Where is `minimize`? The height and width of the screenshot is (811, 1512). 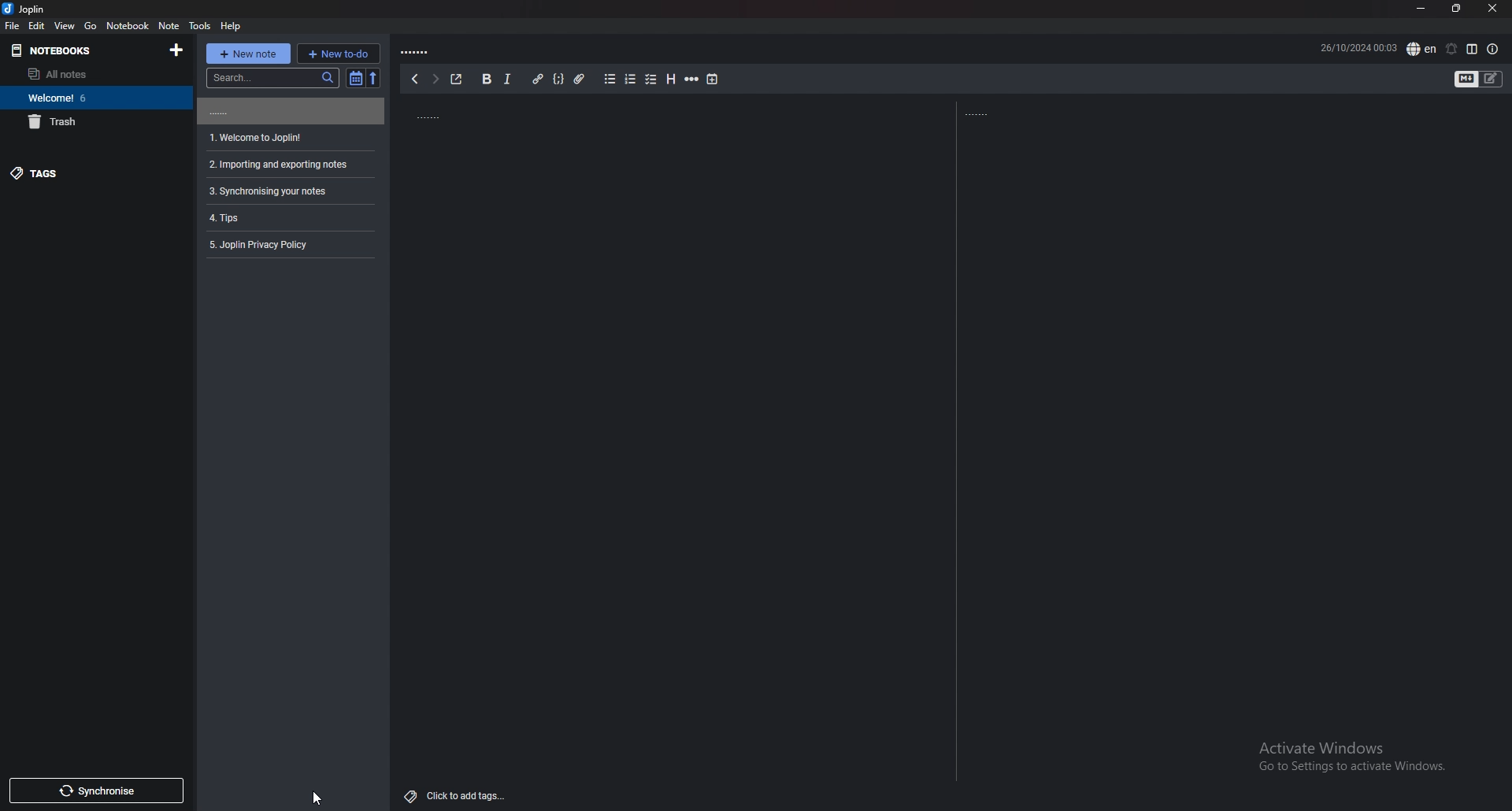 minimize is located at coordinates (1419, 7).